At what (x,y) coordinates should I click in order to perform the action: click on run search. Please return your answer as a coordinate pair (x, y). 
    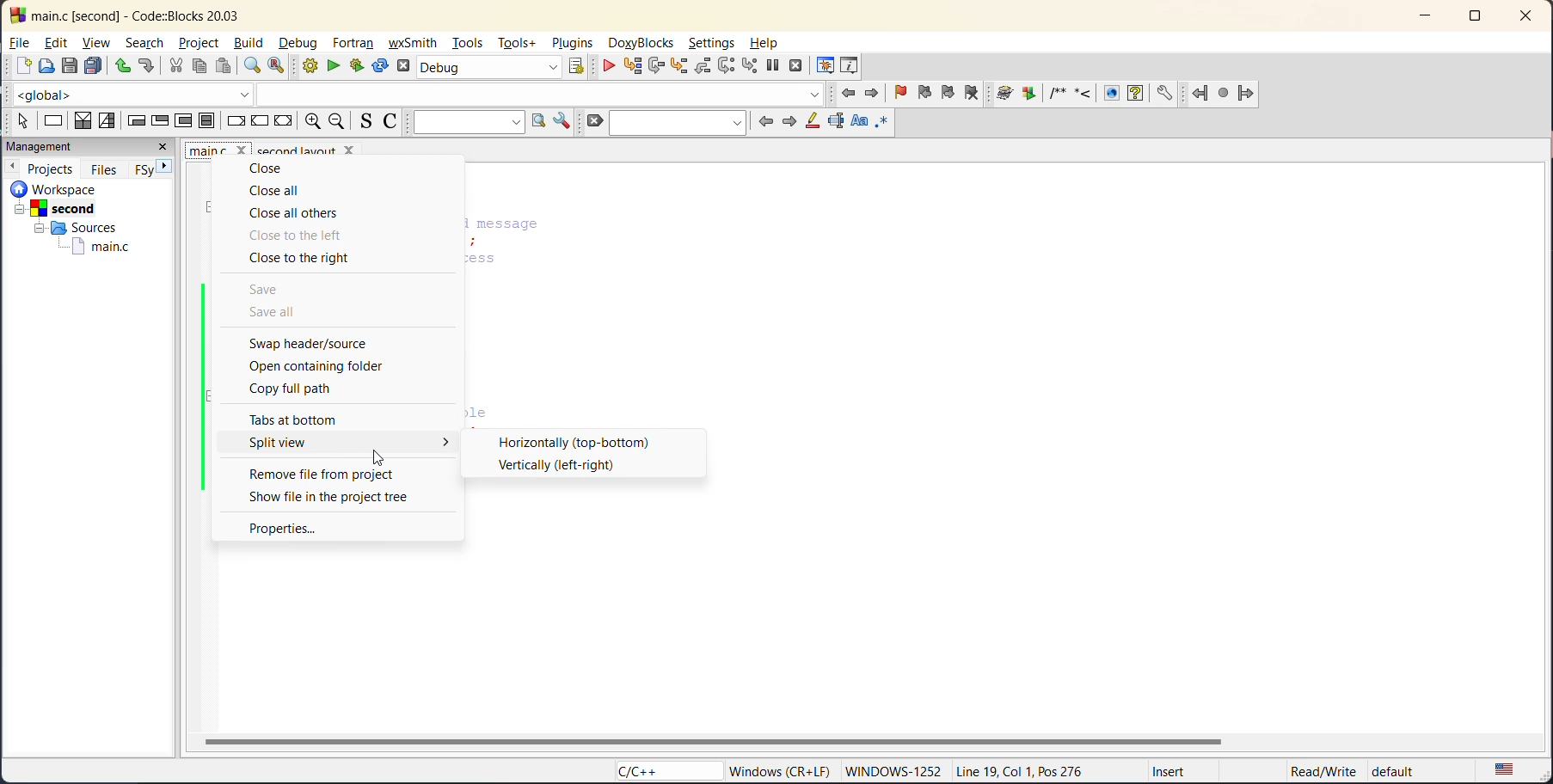
    Looking at the image, I should click on (537, 121).